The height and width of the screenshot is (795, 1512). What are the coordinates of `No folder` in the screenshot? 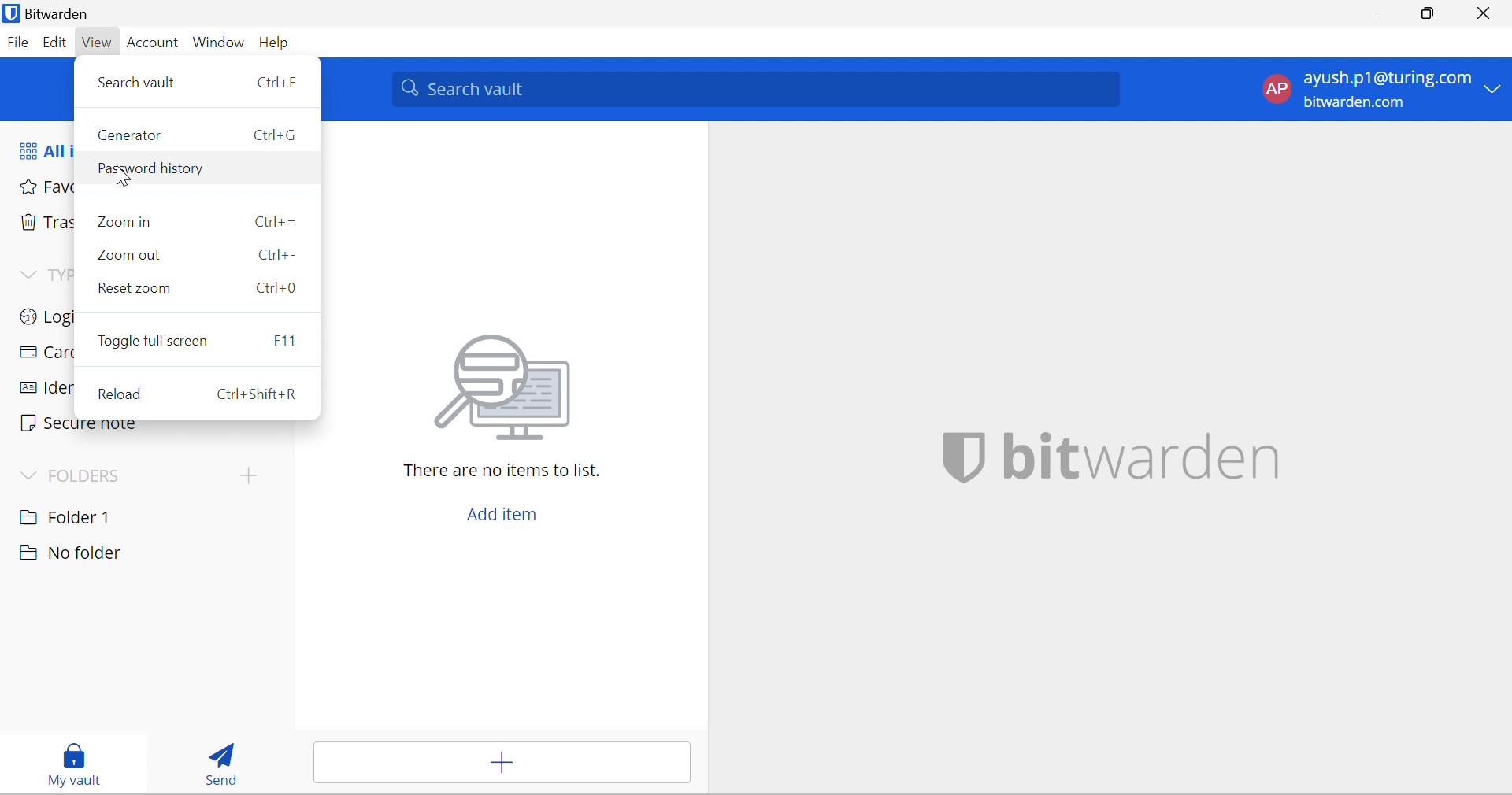 It's located at (72, 553).